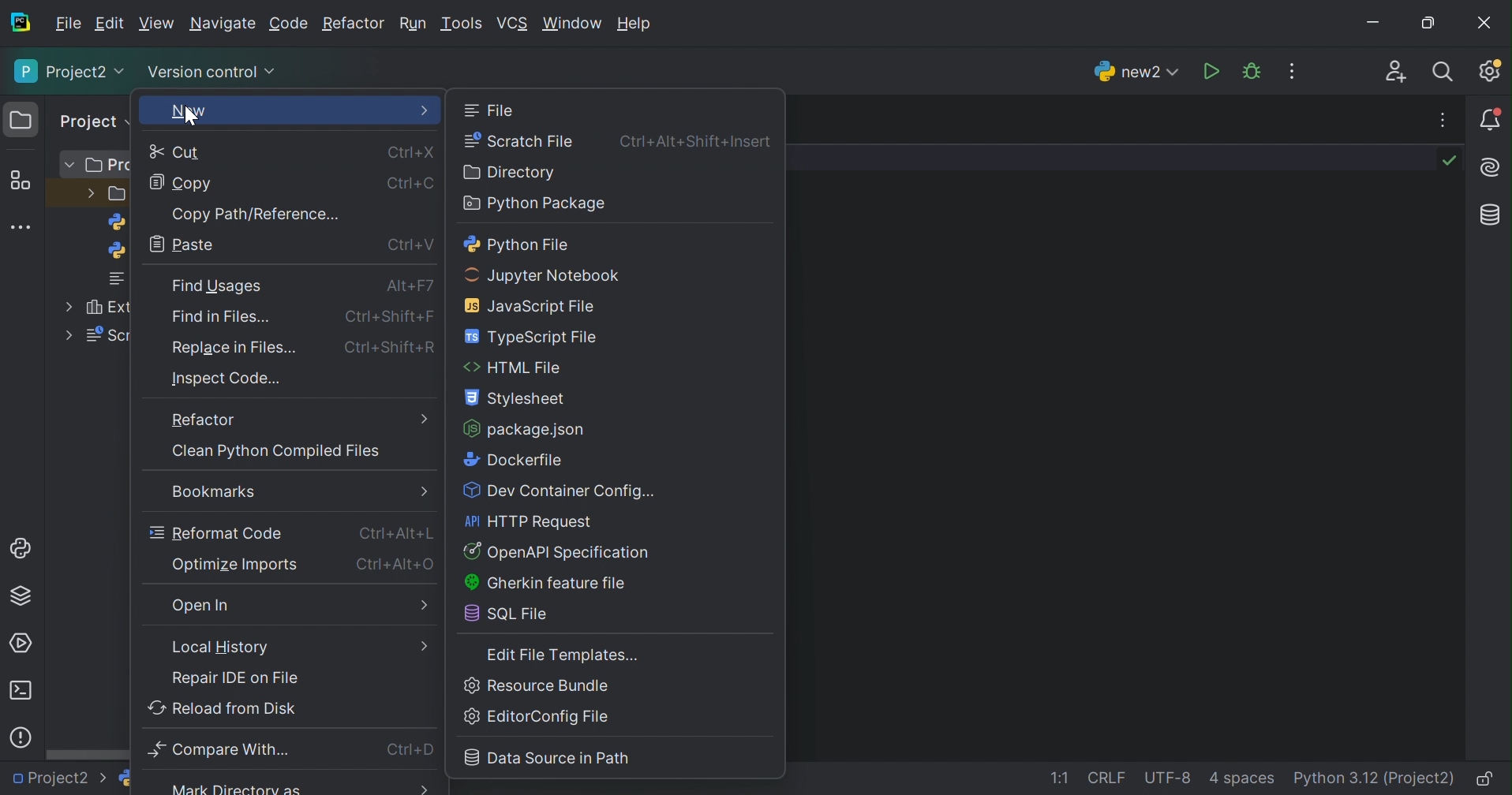  I want to click on Project, so click(91, 121).